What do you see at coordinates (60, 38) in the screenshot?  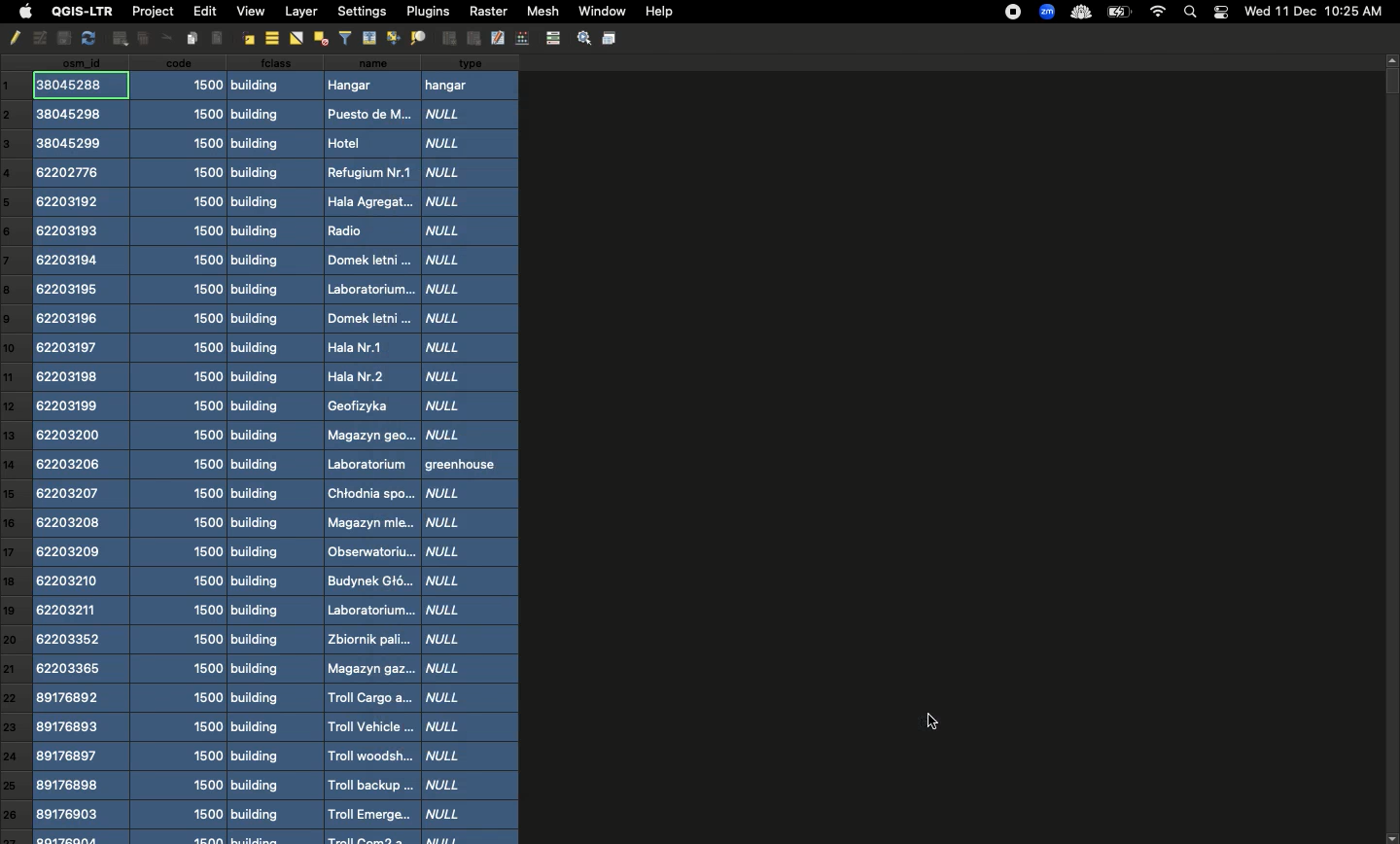 I see `copy` at bounding box center [60, 38].